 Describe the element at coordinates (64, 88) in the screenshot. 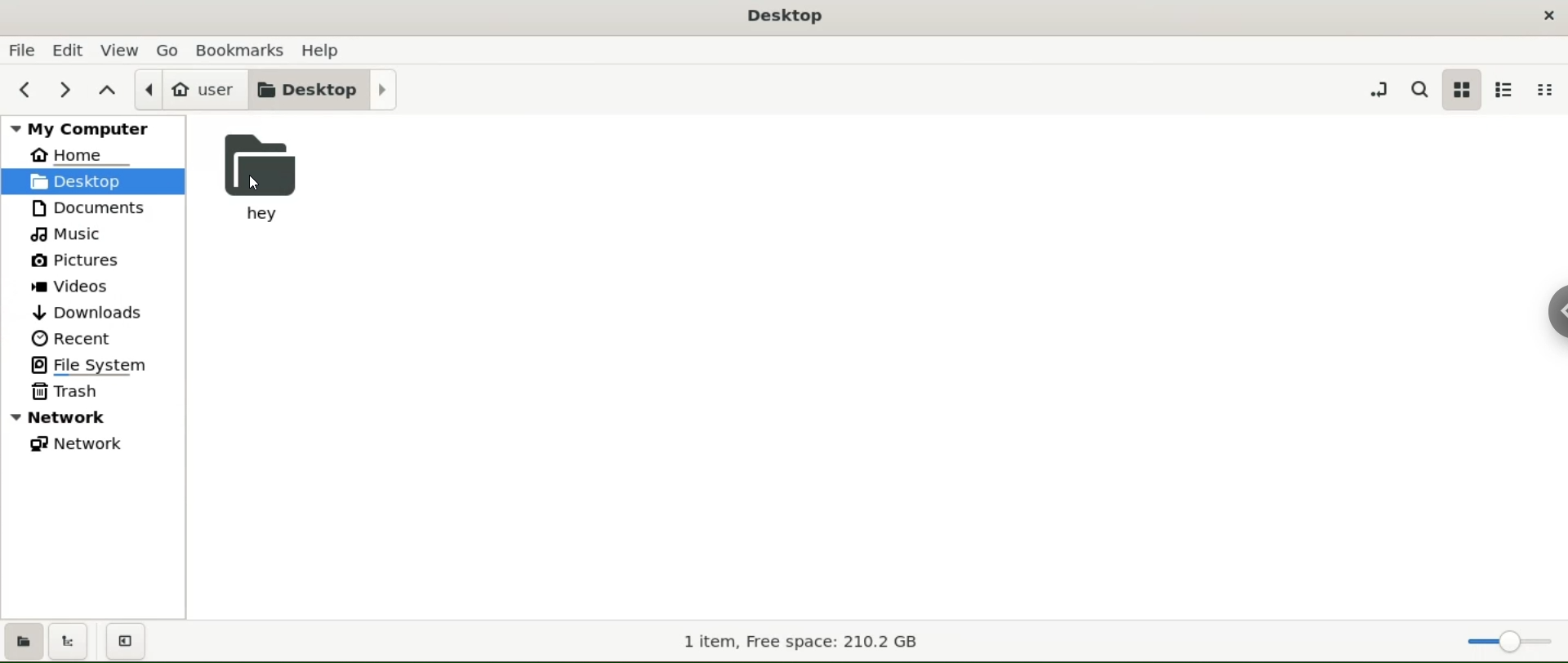

I see `next` at that location.